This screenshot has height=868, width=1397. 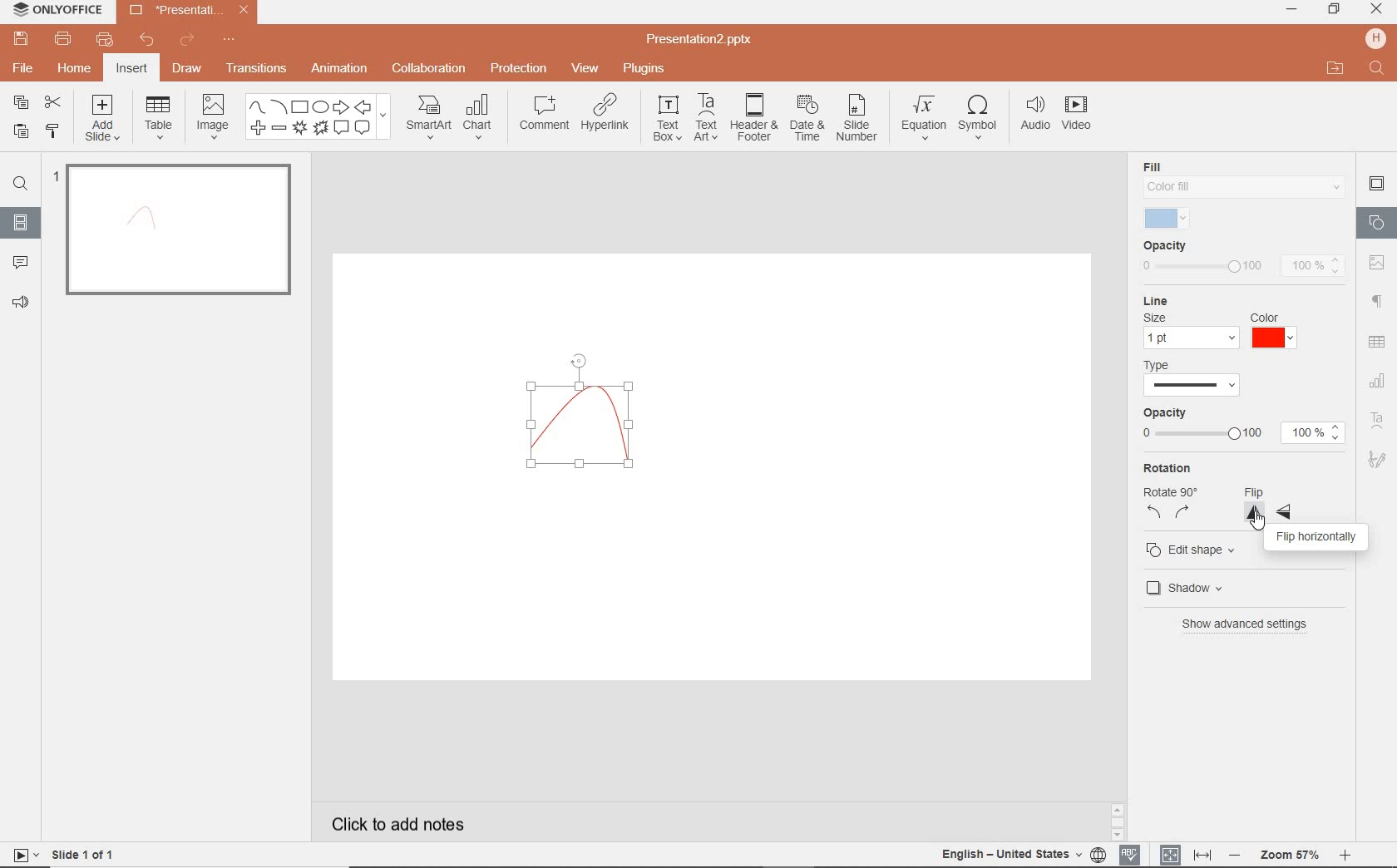 I want to click on image settings, so click(x=1377, y=262).